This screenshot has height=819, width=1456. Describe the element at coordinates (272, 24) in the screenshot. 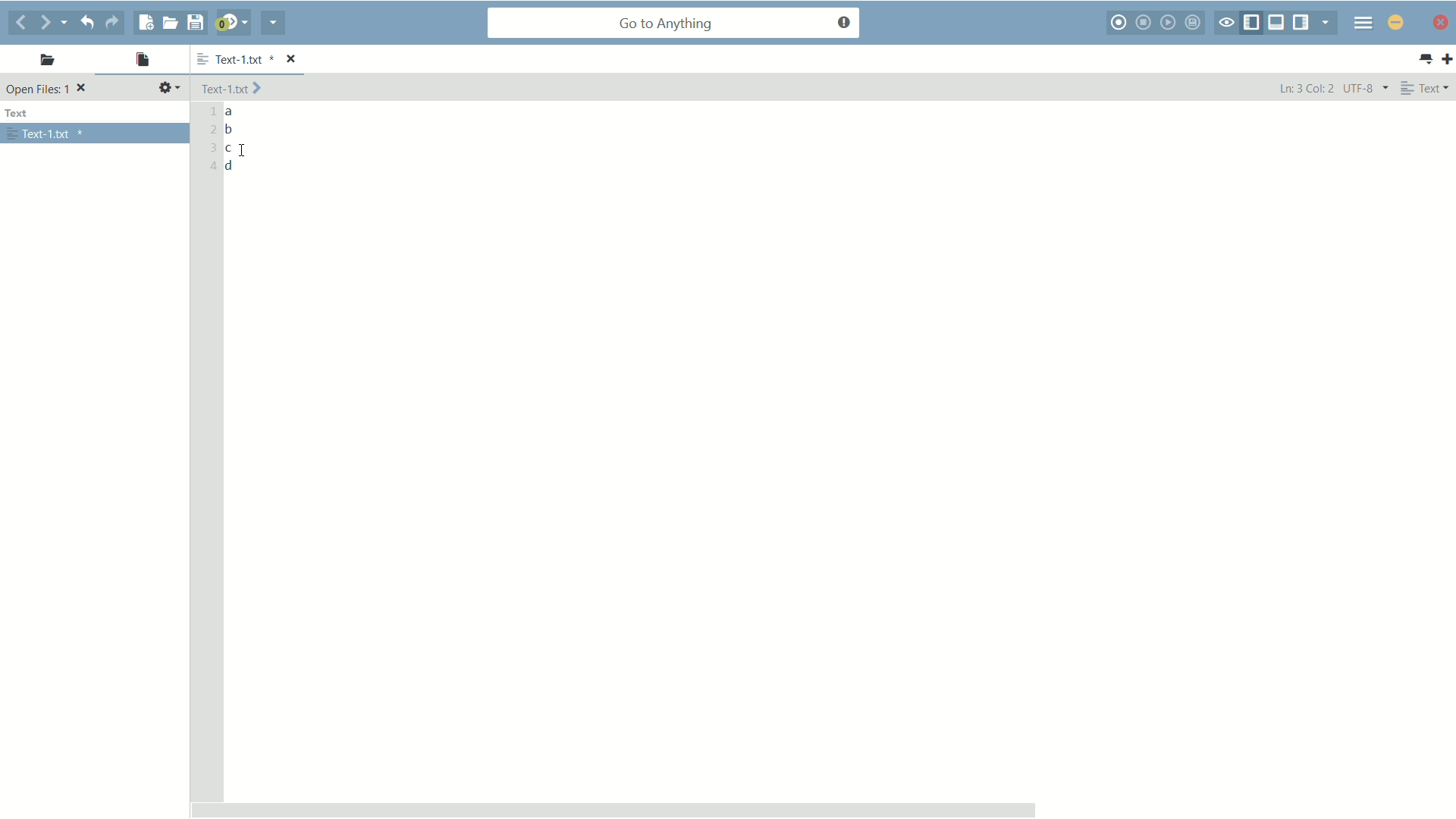

I see `share current file` at that location.